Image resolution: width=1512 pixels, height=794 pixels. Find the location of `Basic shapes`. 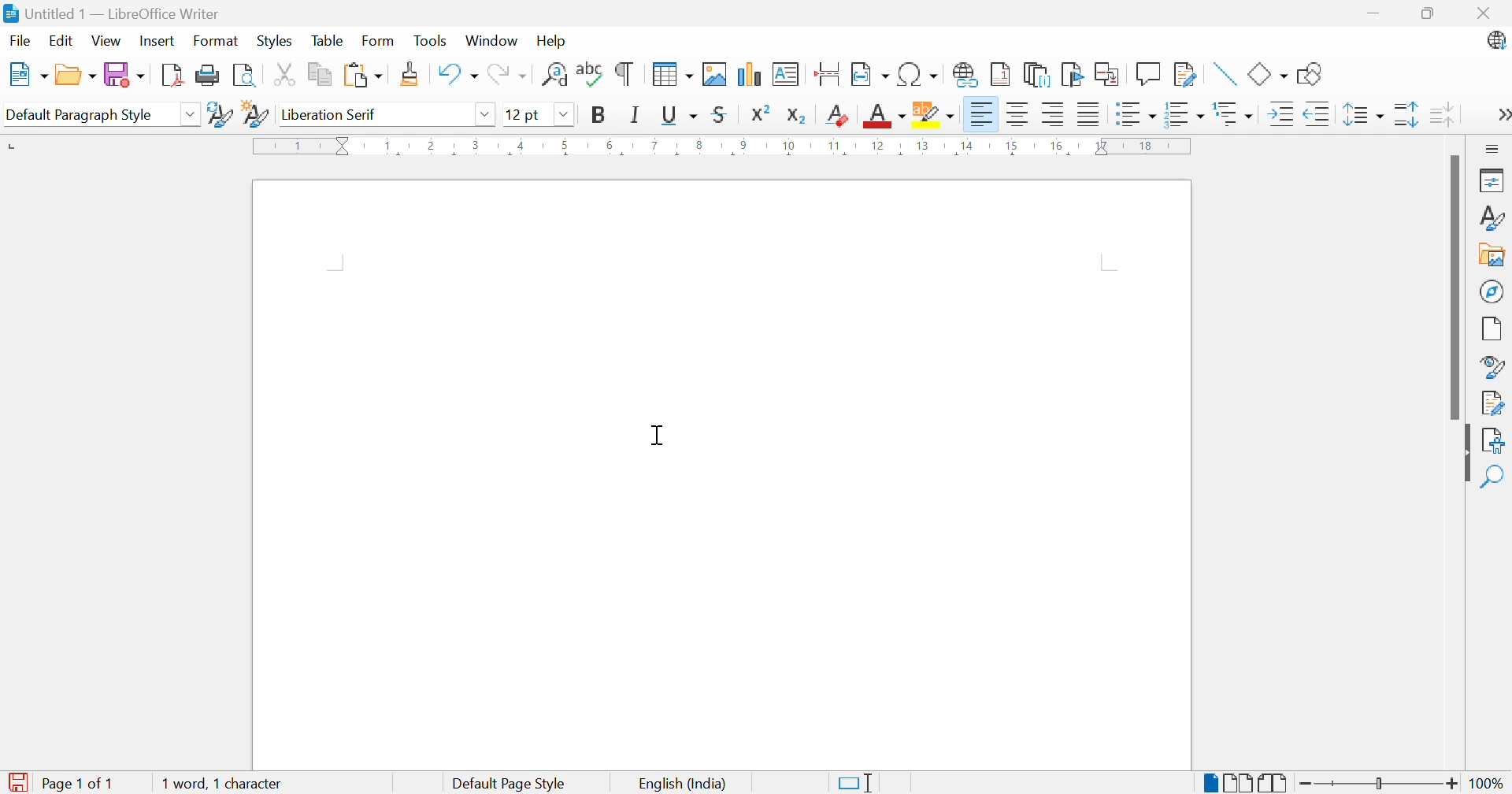

Basic shapes is located at coordinates (1269, 74).